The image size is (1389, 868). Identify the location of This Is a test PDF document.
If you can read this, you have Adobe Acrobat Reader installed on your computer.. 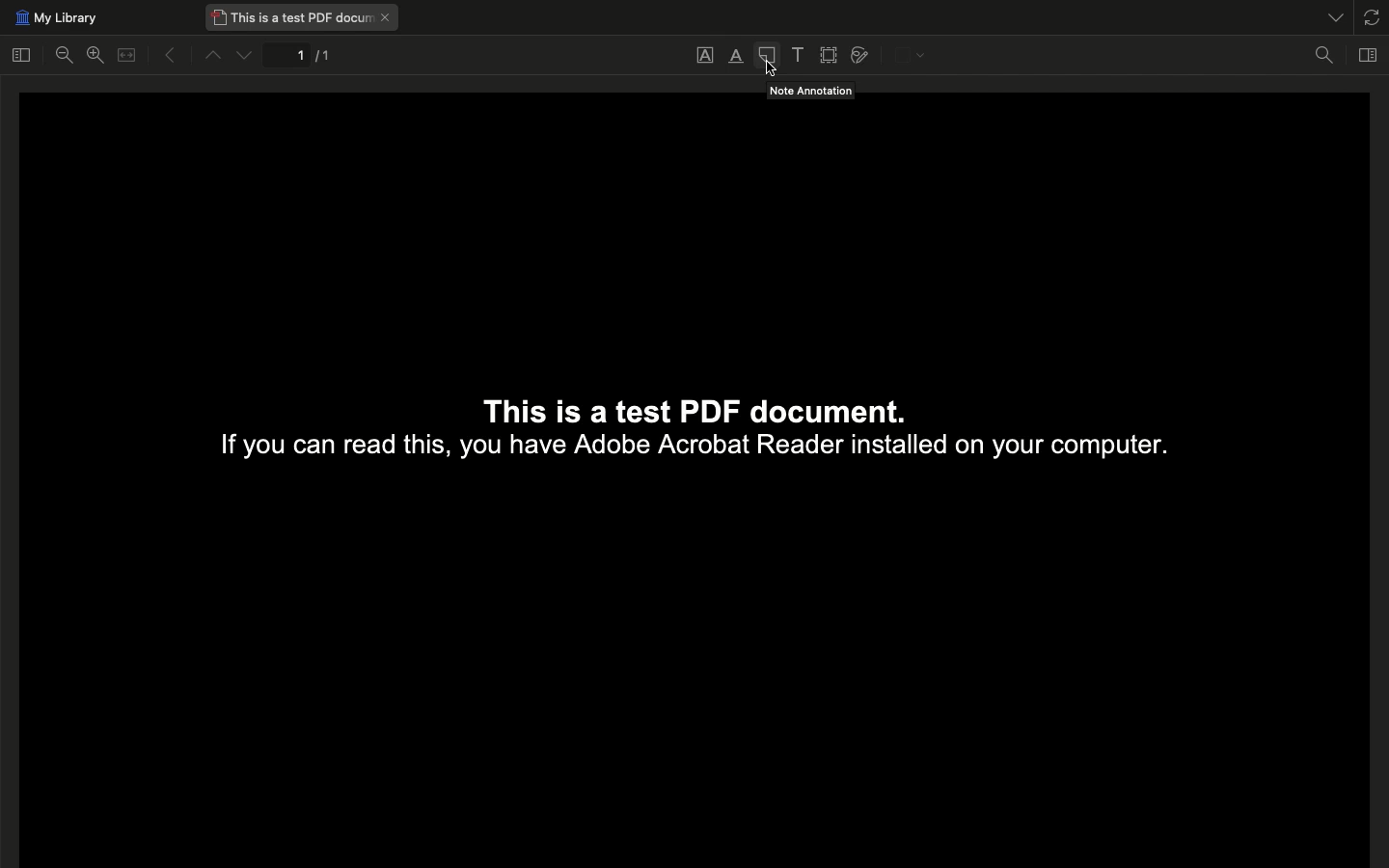
(726, 435).